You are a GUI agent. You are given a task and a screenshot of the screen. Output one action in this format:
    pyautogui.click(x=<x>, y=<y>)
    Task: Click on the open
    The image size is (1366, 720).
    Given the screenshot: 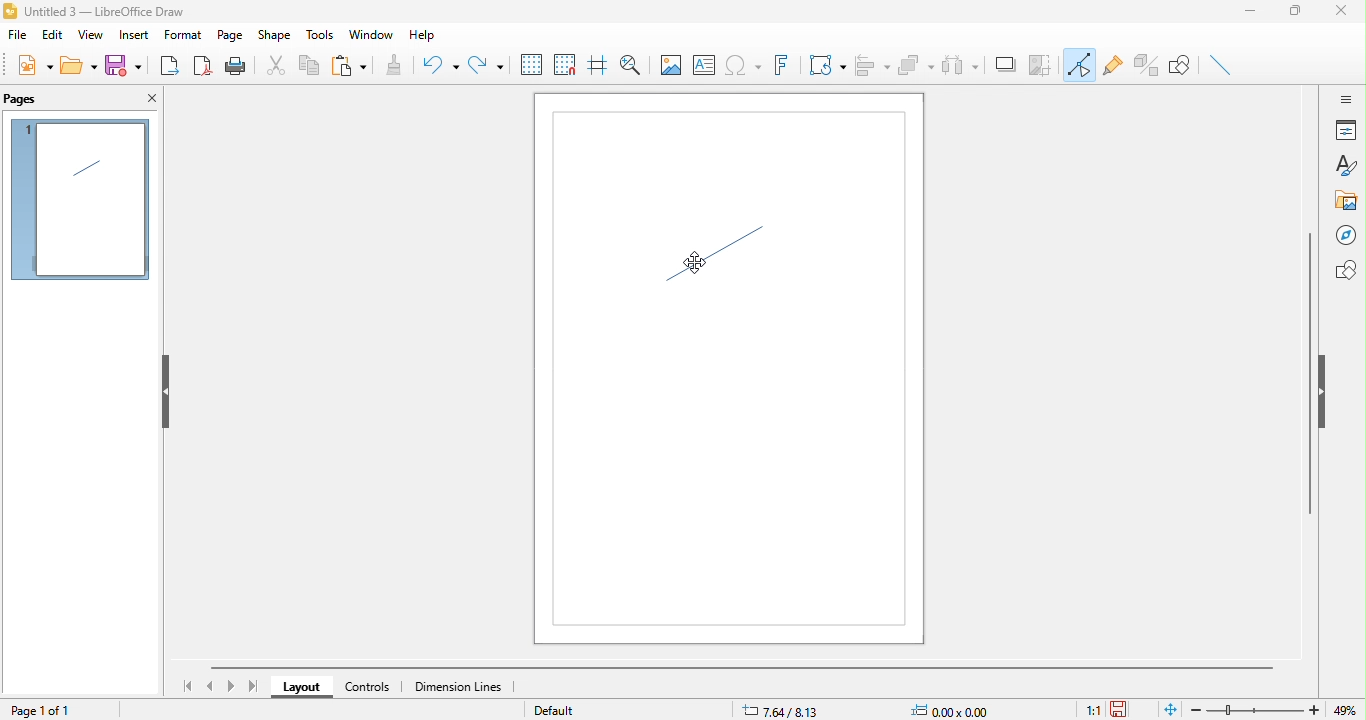 What is the action you would take?
    pyautogui.click(x=80, y=65)
    